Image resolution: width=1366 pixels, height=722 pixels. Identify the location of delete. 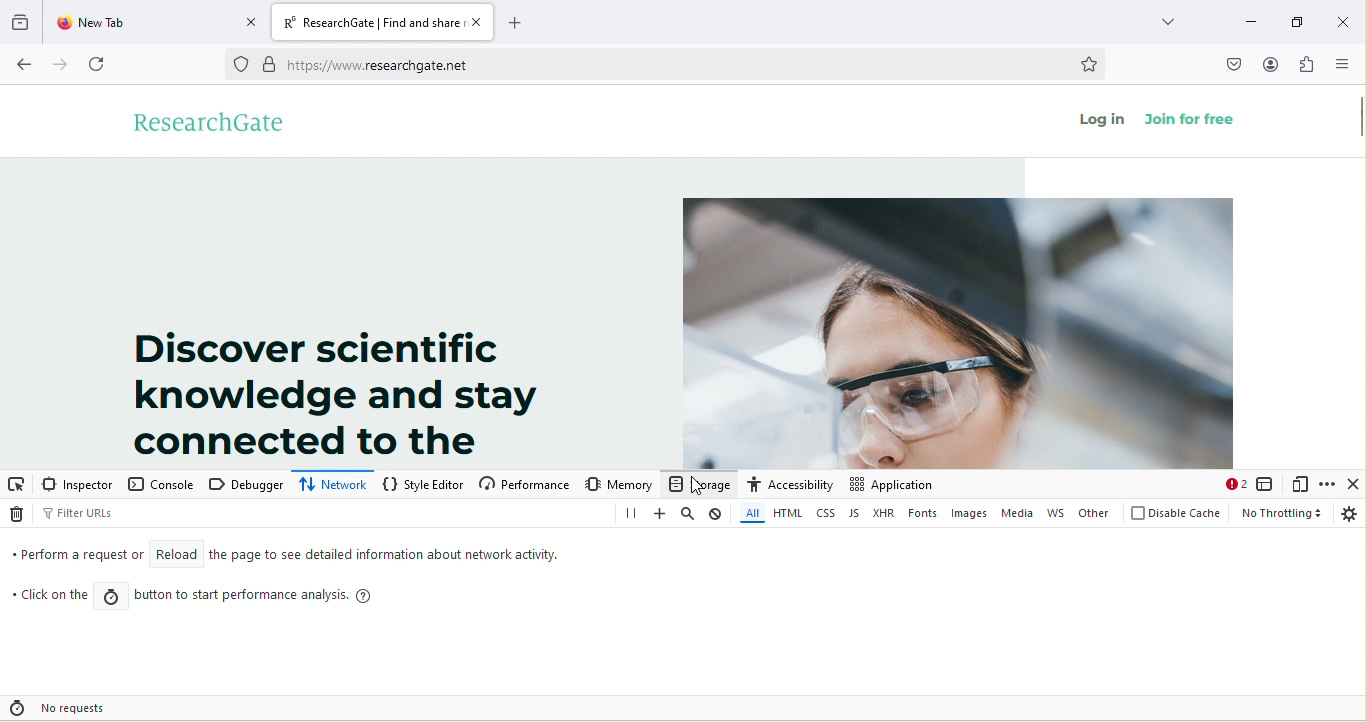
(17, 514).